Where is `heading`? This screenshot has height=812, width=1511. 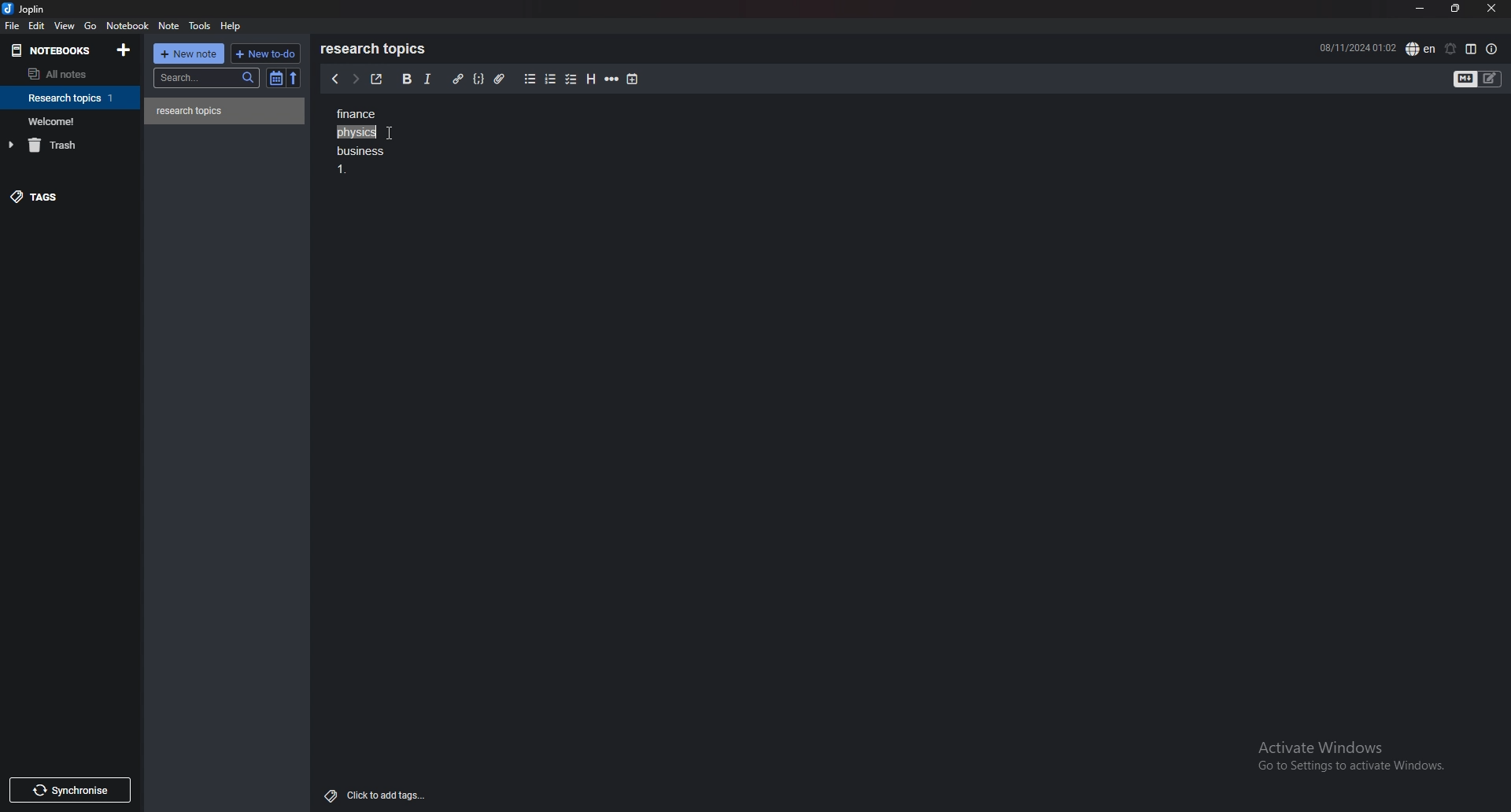 heading is located at coordinates (590, 79).